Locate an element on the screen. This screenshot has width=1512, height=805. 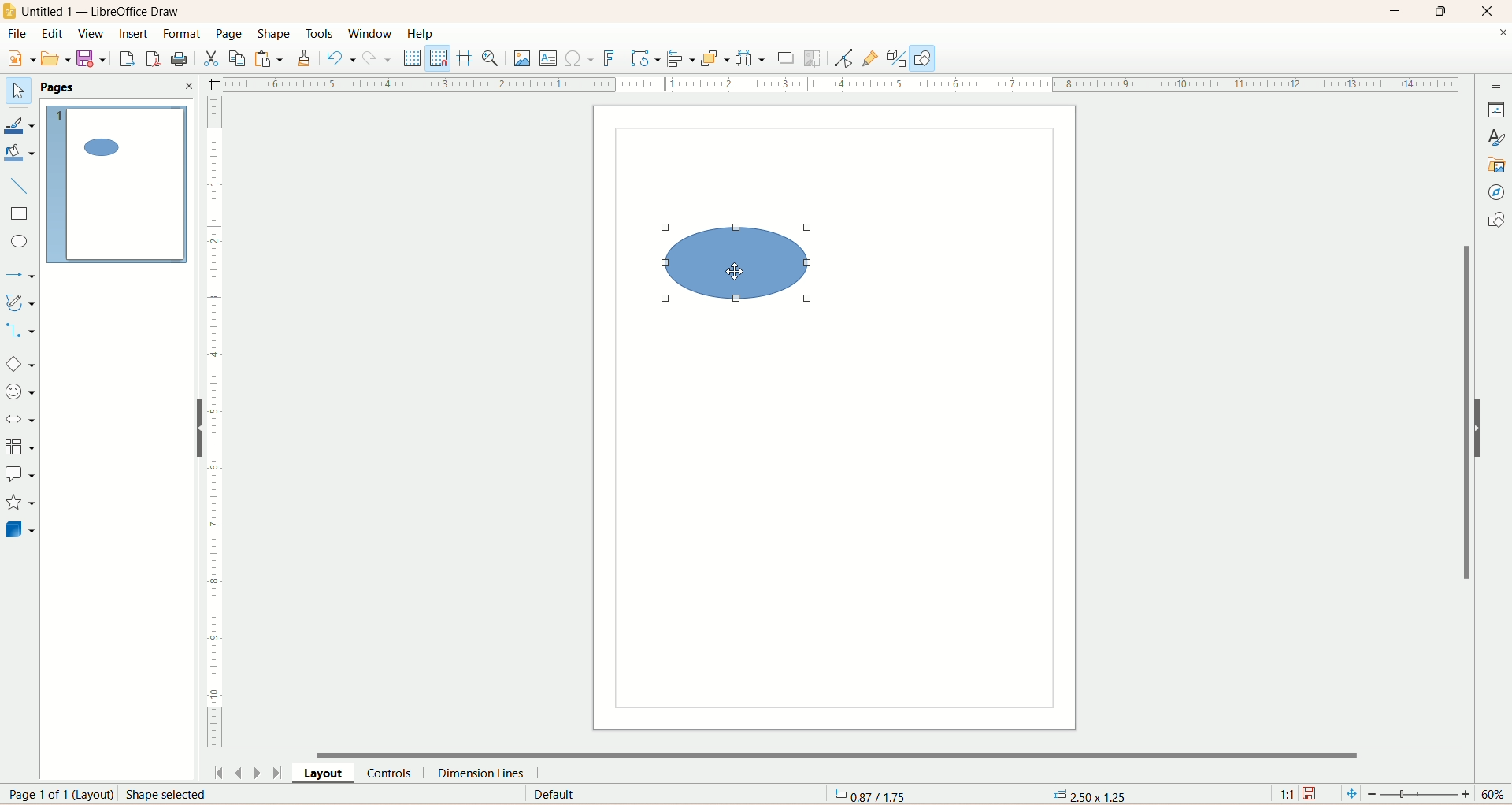
horizontal scroll bar is located at coordinates (843, 751).